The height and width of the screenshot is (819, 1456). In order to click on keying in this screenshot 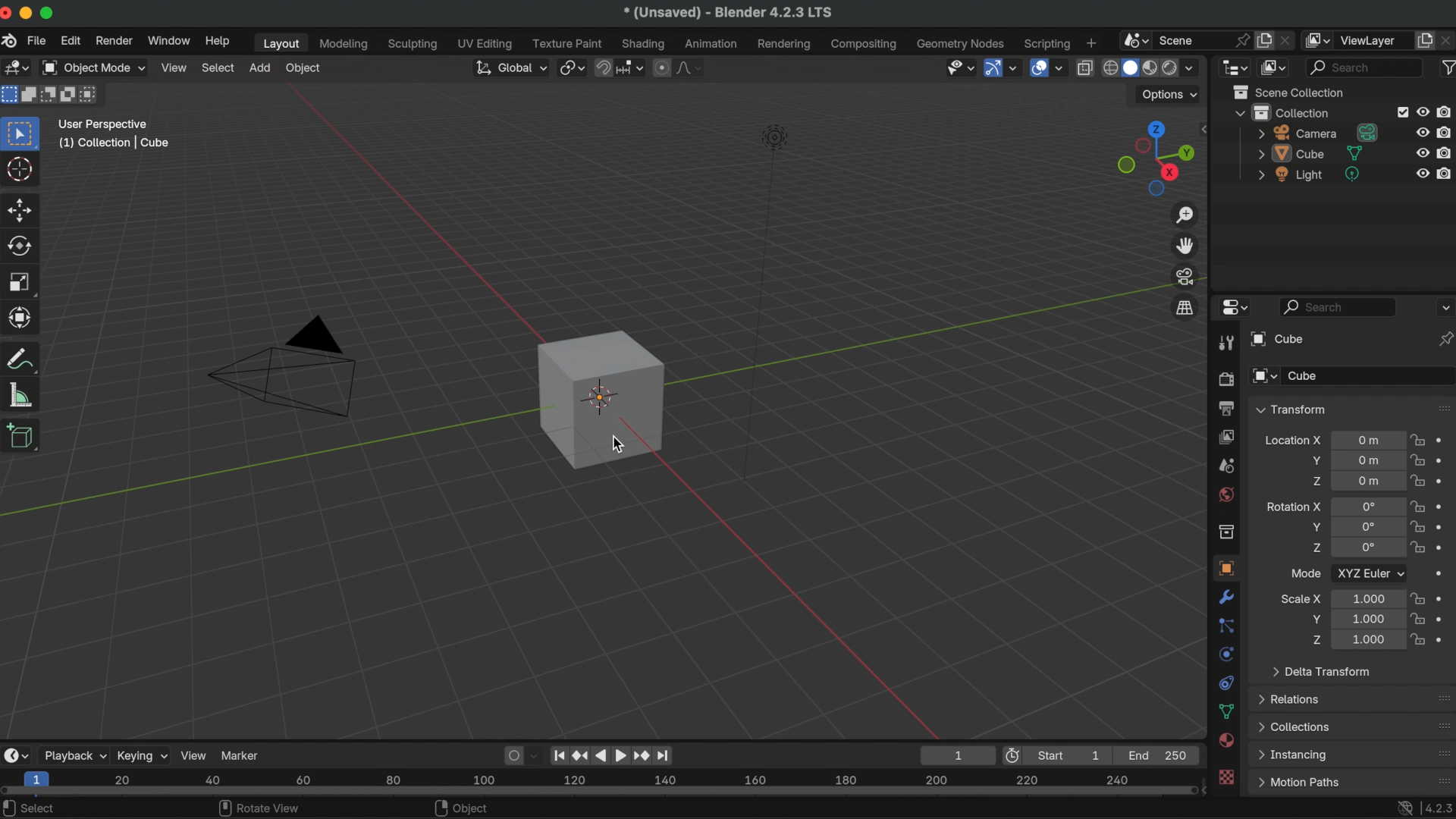, I will do `click(142, 755)`.